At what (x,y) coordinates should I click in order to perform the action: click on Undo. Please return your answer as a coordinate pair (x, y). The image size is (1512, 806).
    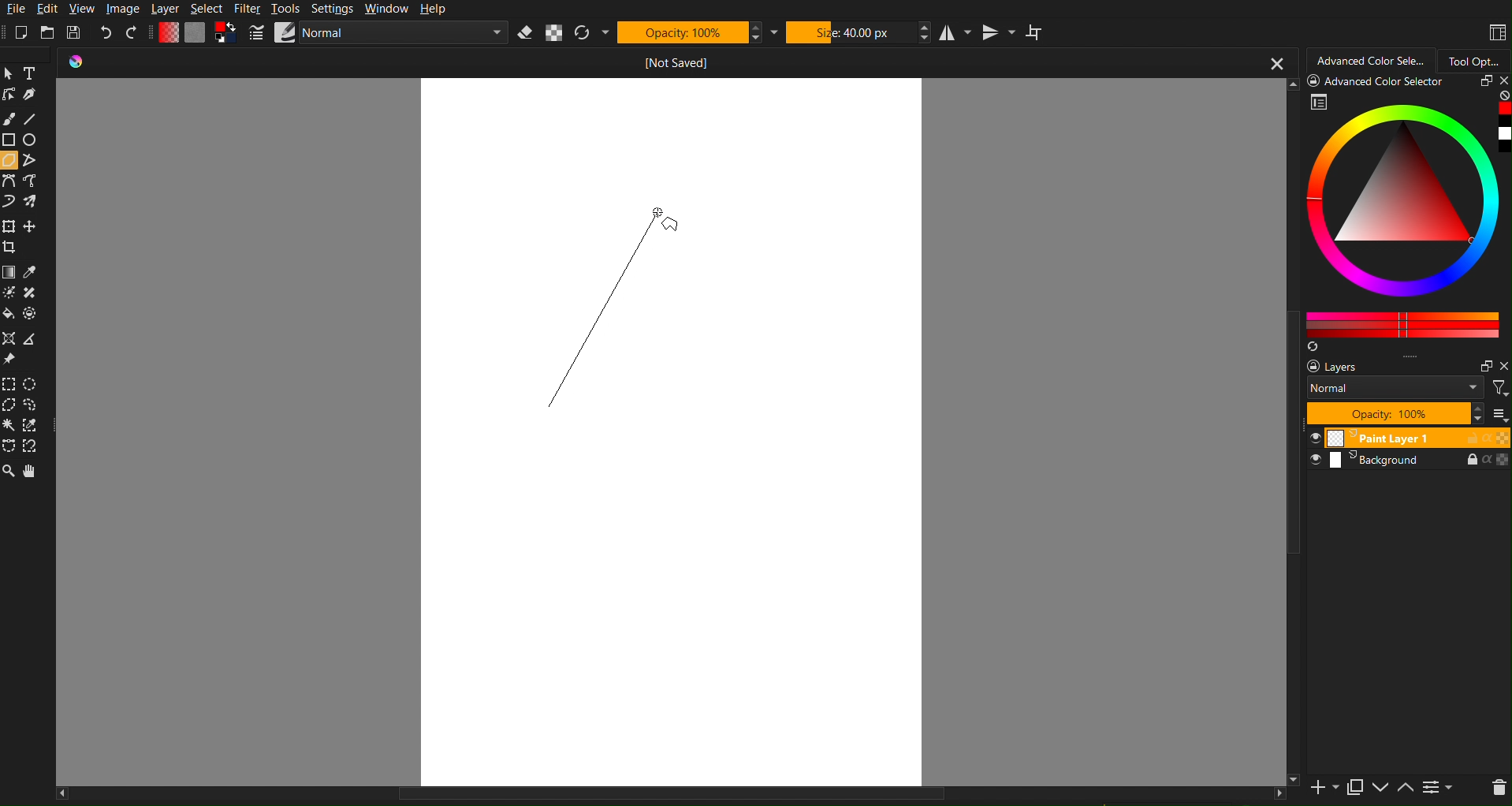
    Looking at the image, I should click on (106, 33).